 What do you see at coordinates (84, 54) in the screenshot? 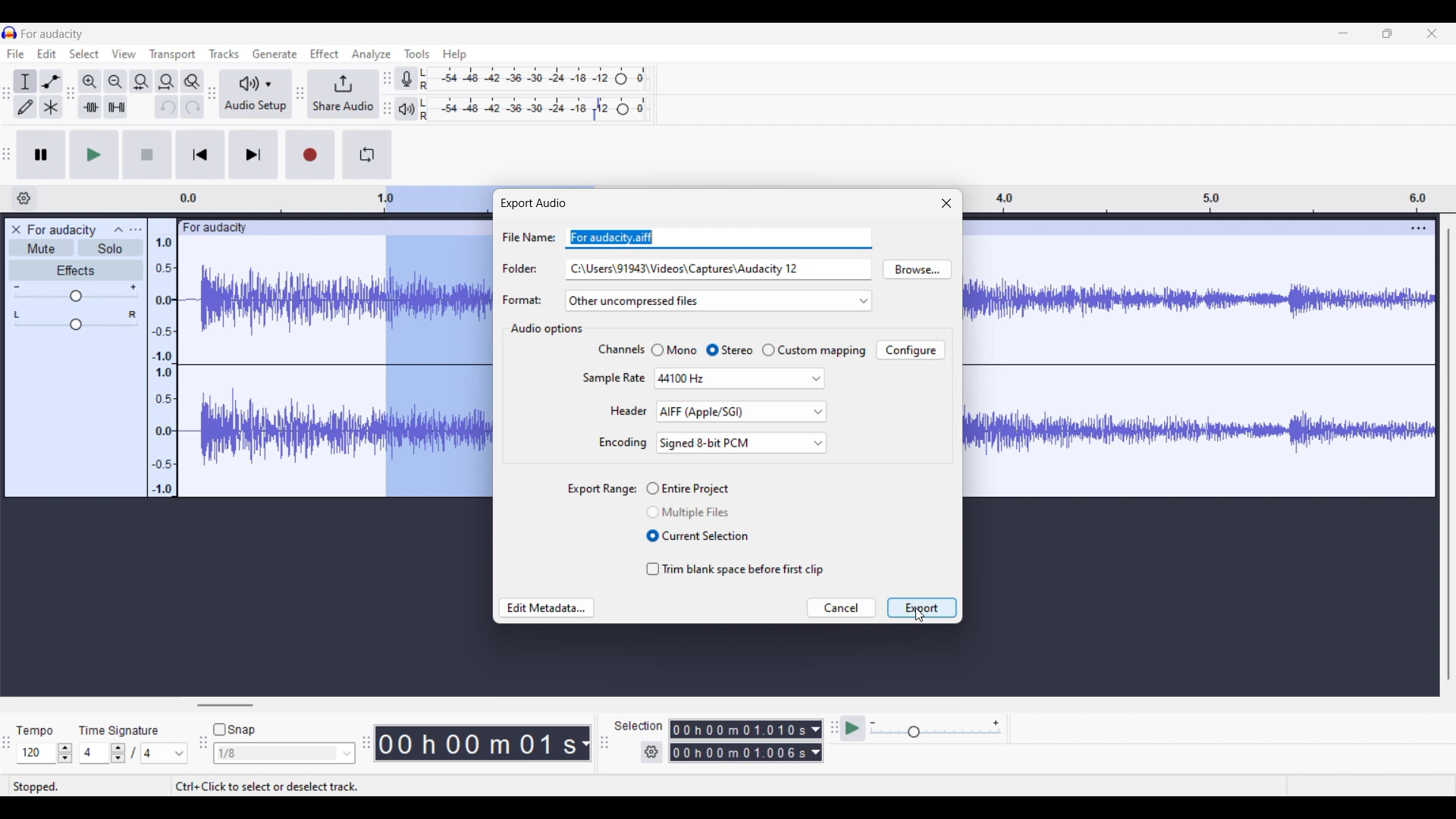
I see `Select menu` at bounding box center [84, 54].